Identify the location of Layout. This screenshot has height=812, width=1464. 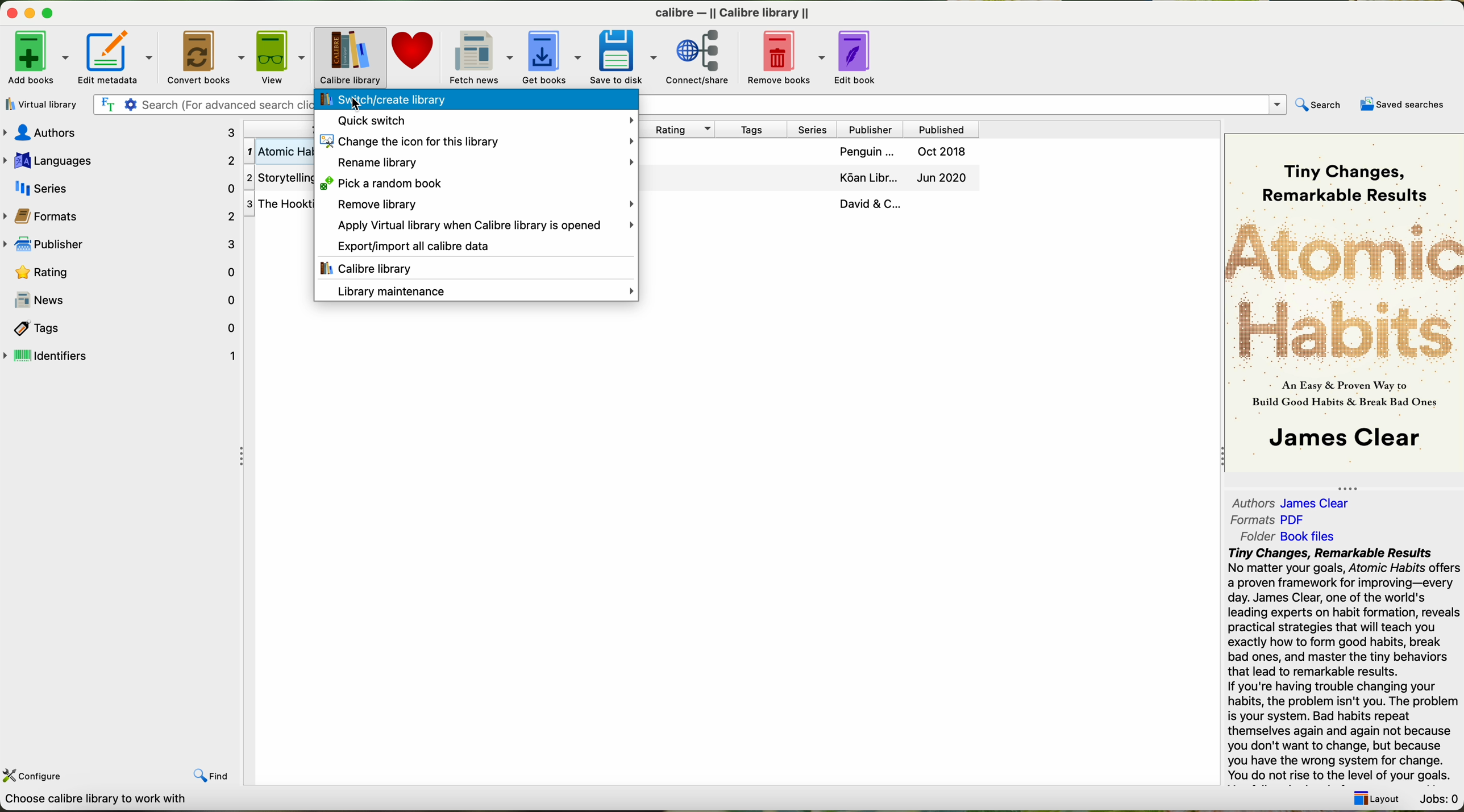
(1373, 795).